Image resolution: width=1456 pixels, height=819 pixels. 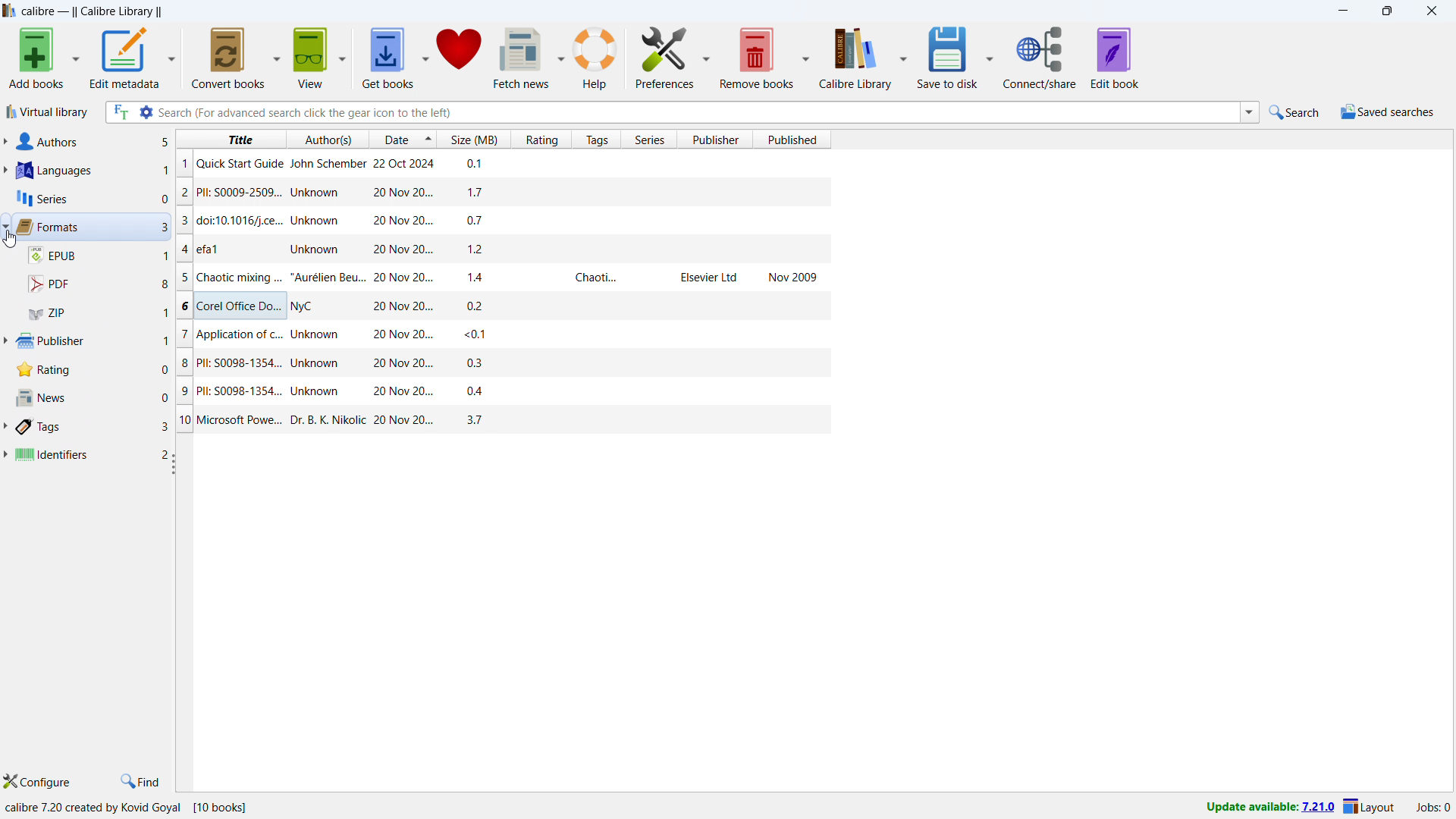 What do you see at coordinates (99, 313) in the screenshot?
I see `zip` at bounding box center [99, 313].